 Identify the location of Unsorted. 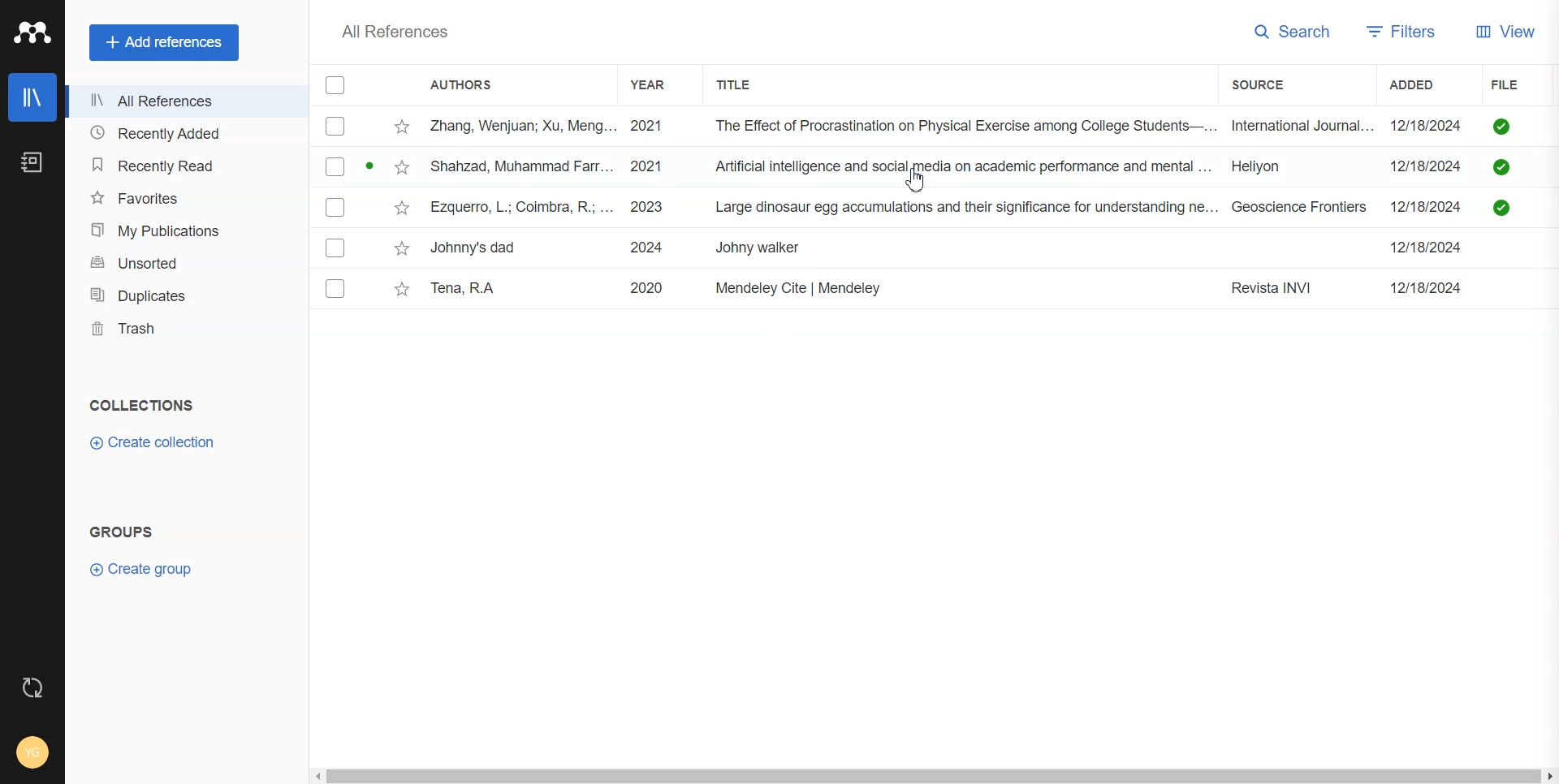
(184, 261).